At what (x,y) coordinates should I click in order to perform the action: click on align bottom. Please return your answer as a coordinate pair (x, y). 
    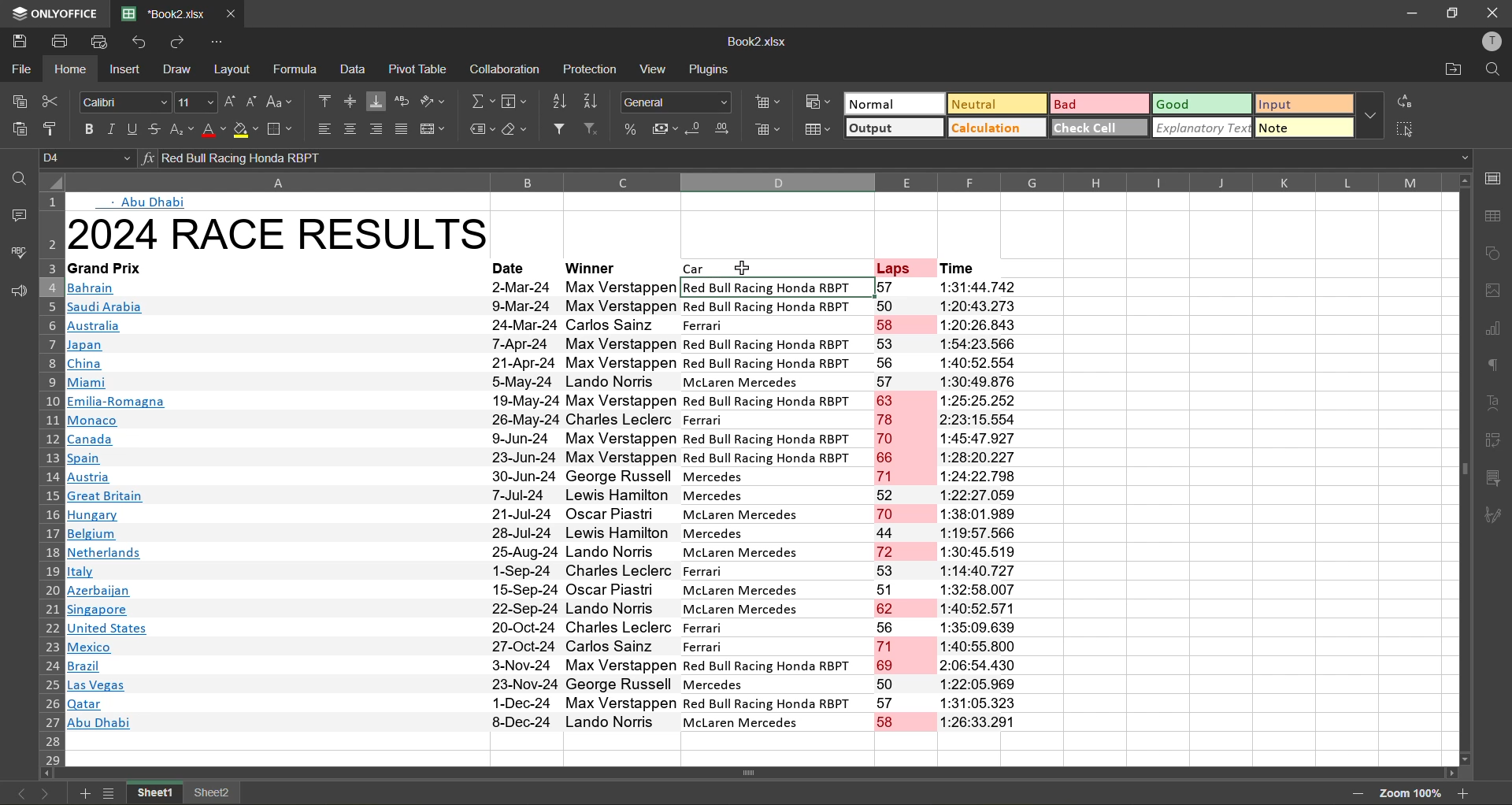
    Looking at the image, I should click on (375, 102).